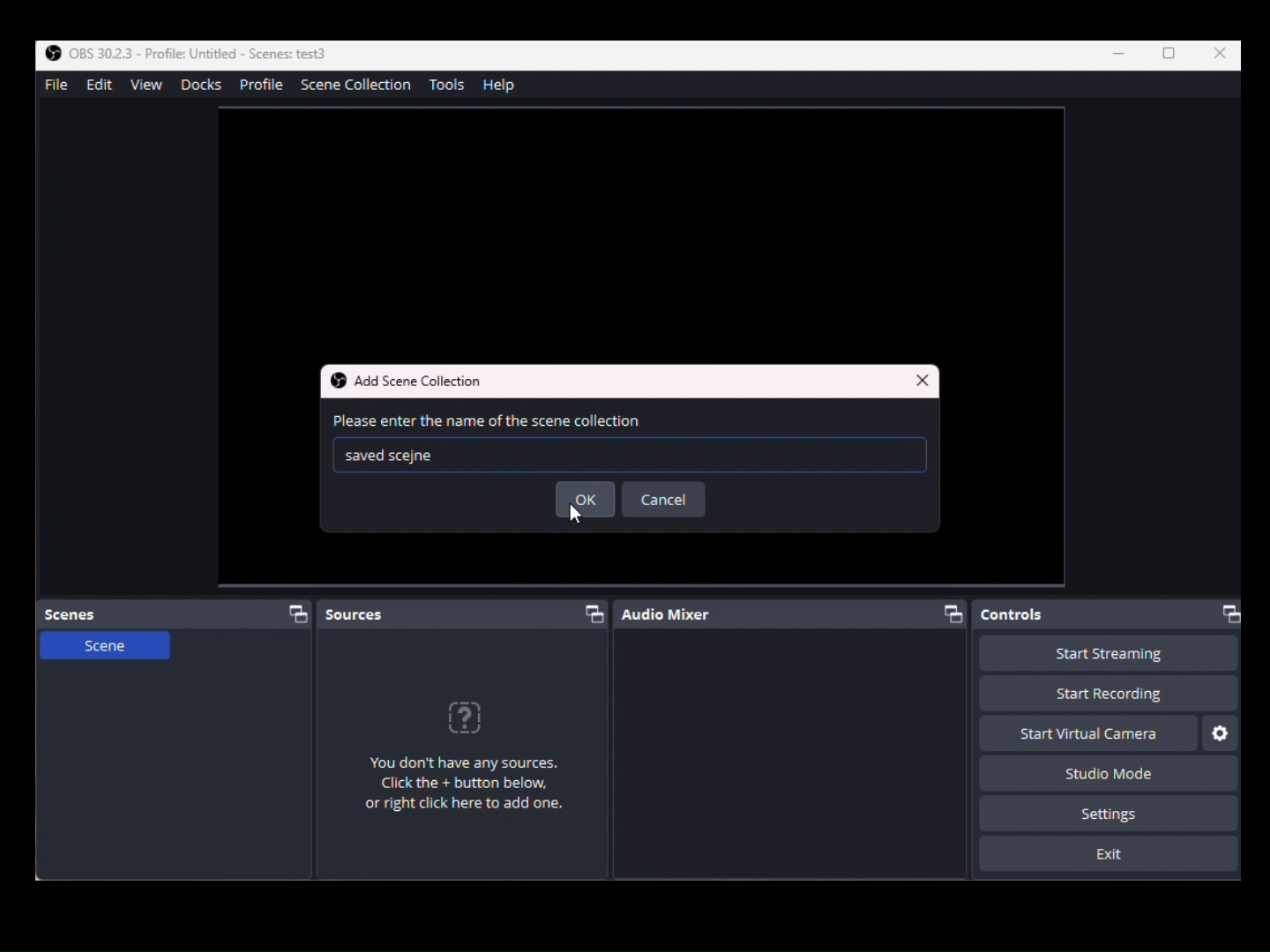 Image resolution: width=1270 pixels, height=952 pixels. What do you see at coordinates (199, 85) in the screenshot?
I see `Docks` at bounding box center [199, 85].